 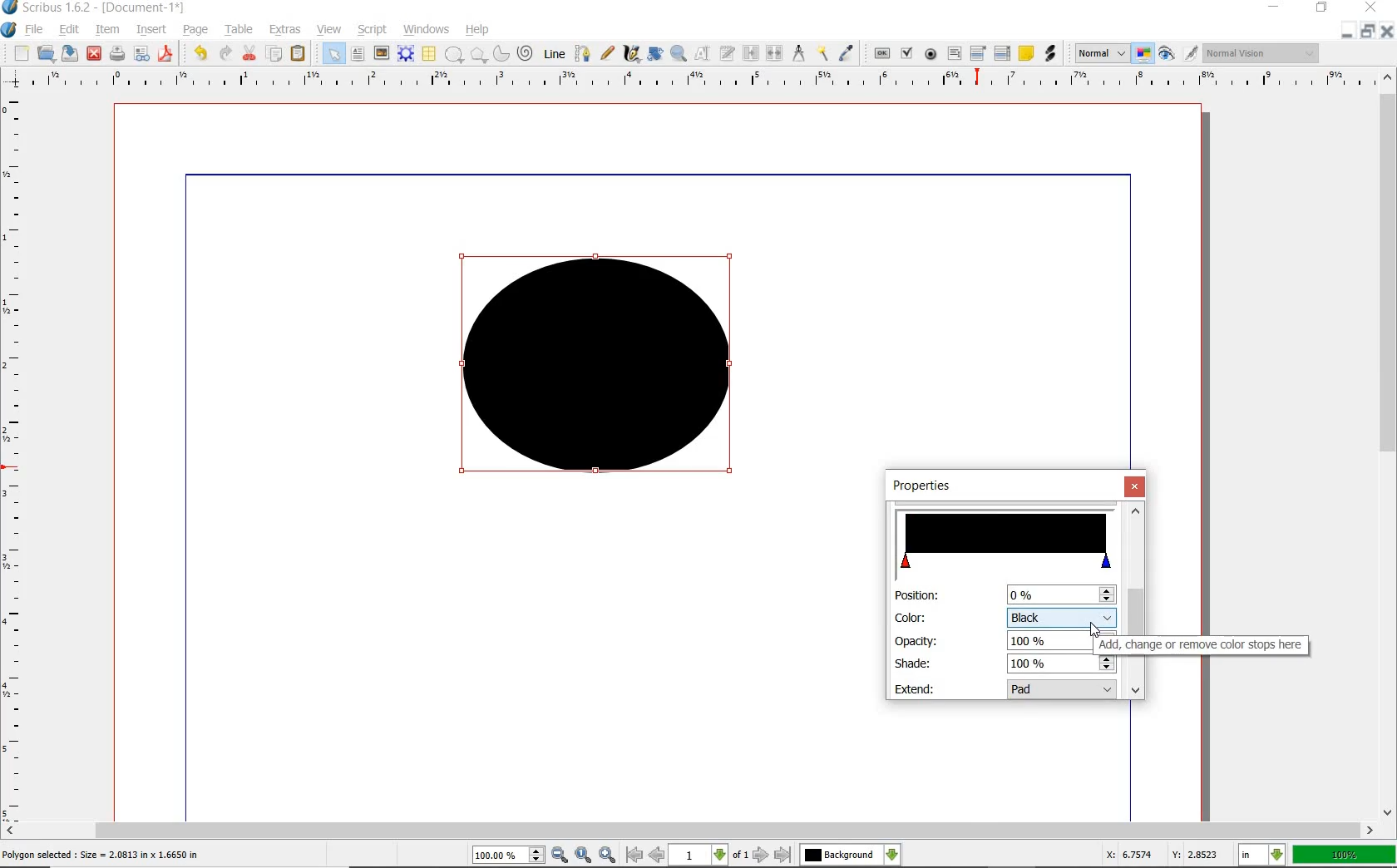 What do you see at coordinates (609, 854) in the screenshot?
I see `zoom in` at bounding box center [609, 854].